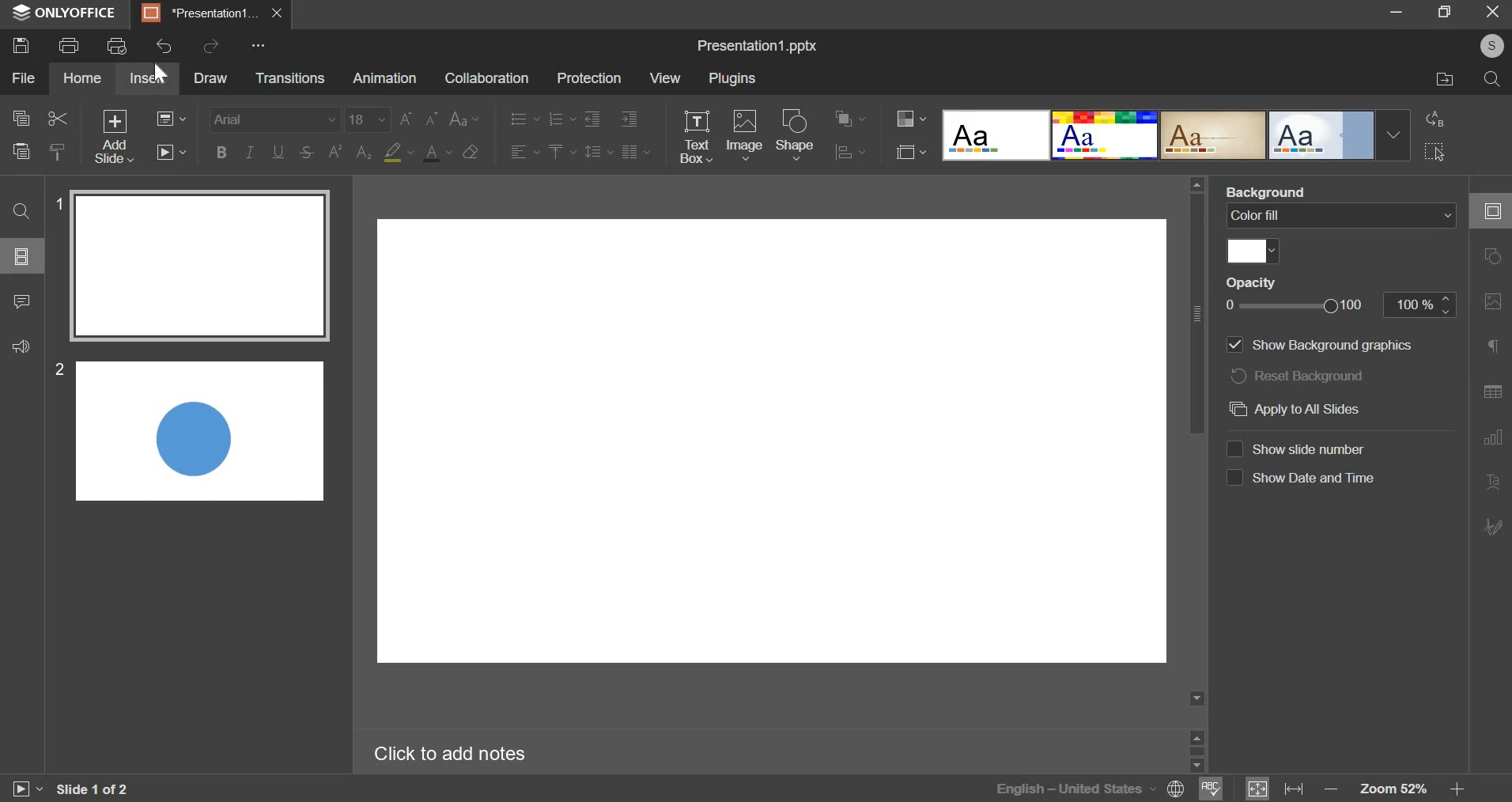 This screenshot has width=1512, height=802. Describe the element at coordinates (1341, 306) in the screenshot. I see `opacity slider from 0 to 100` at that location.